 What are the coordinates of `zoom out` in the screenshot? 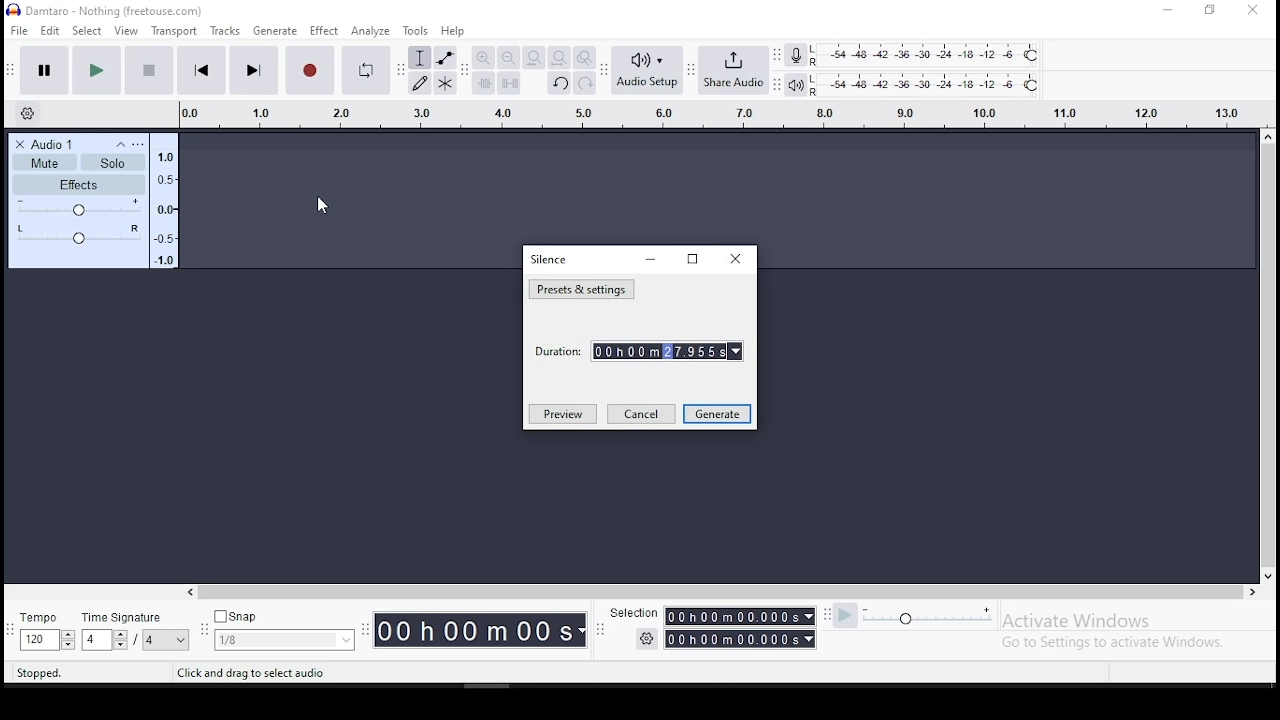 It's located at (507, 57).